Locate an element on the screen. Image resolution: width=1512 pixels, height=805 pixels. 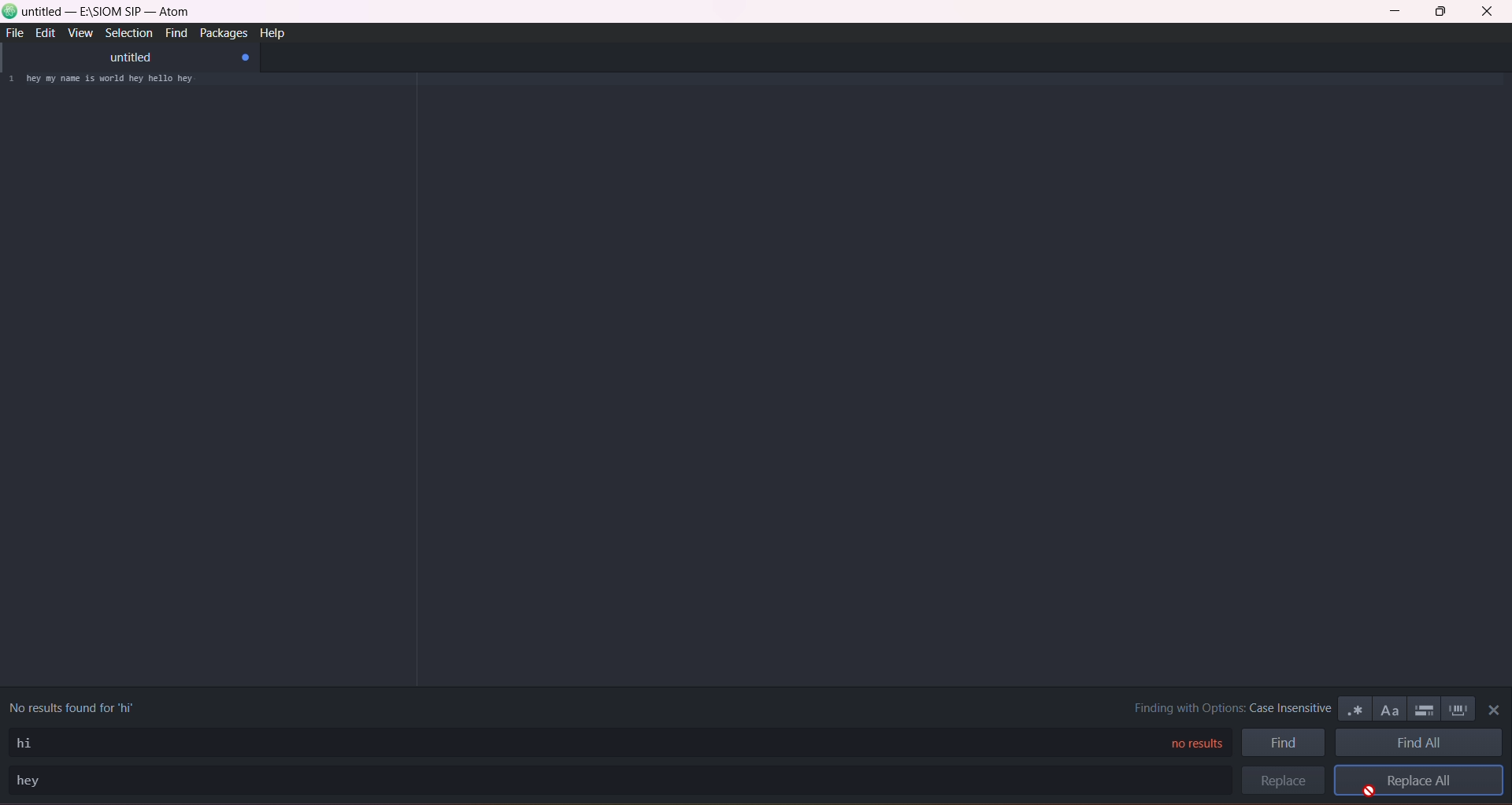
finding with options : case insensitive is located at coordinates (1221, 707).